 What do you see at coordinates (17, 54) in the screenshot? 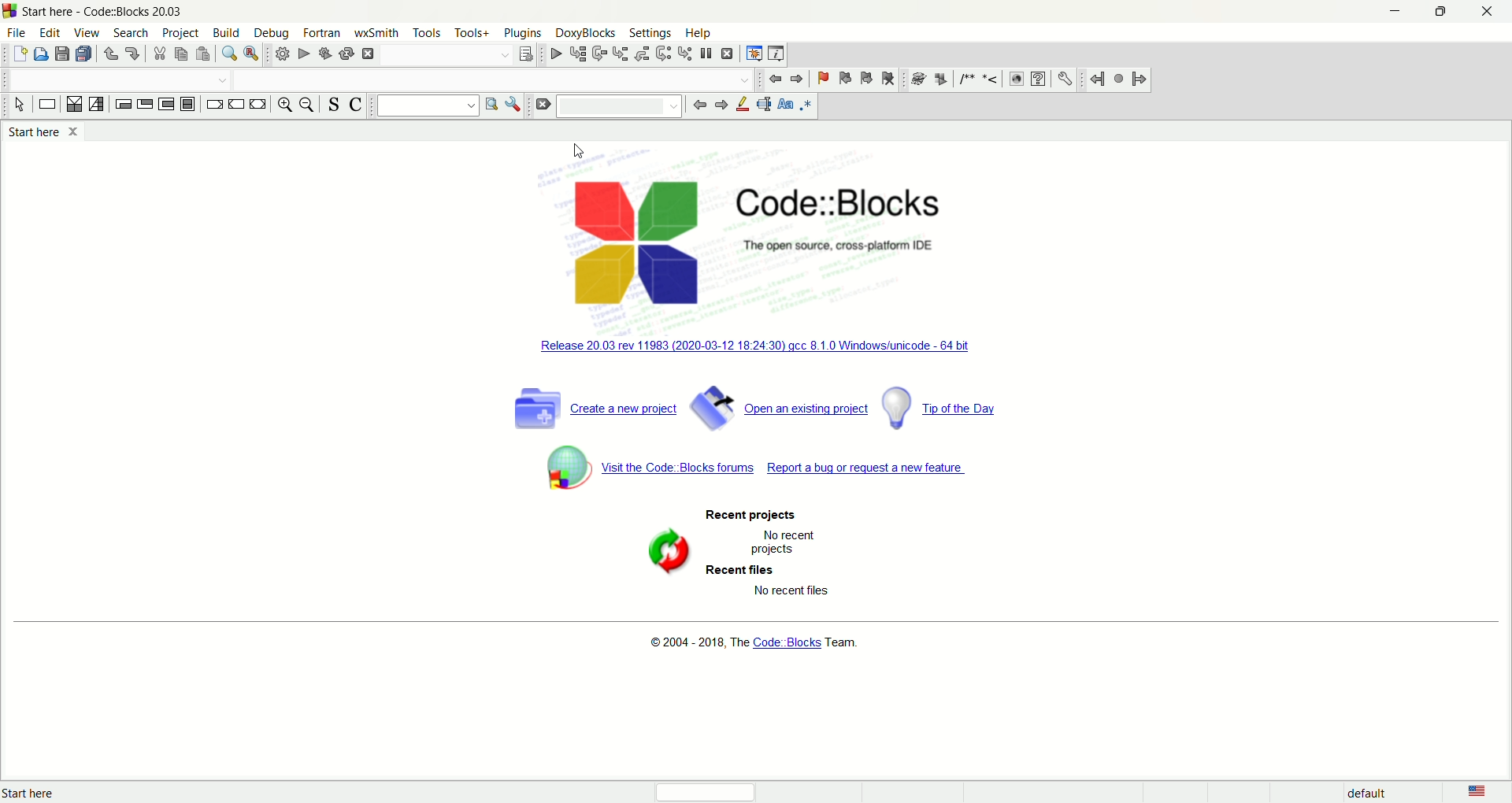
I see `new` at bounding box center [17, 54].